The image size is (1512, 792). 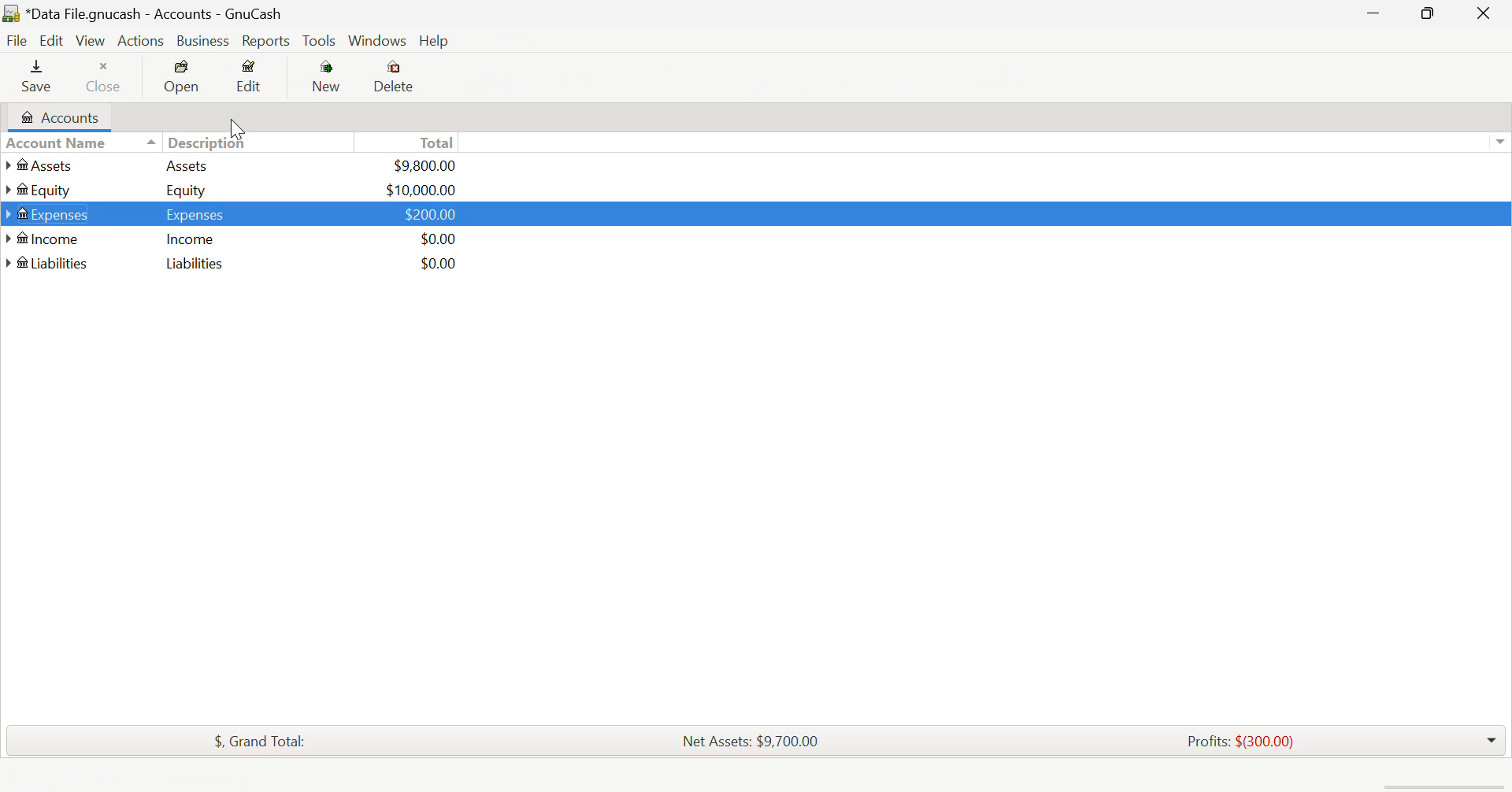 What do you see at coordinates (232, 262) in the screenshot?
I see `Liabilities Liabilities $0.00` at bounding box center [232, 262].